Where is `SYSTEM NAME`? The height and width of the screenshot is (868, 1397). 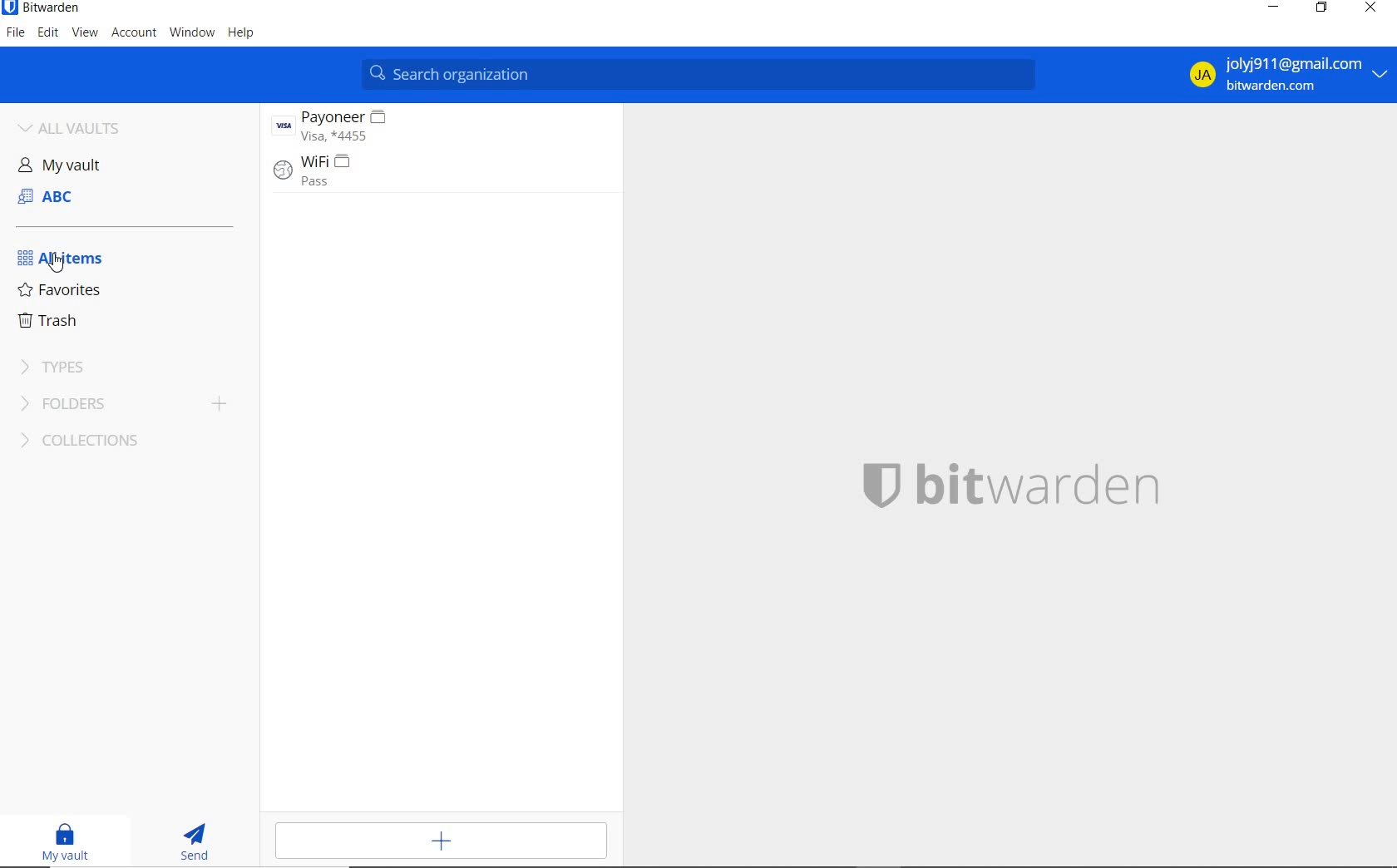 SYSTEM NAME is located at coordinates (42, 8).